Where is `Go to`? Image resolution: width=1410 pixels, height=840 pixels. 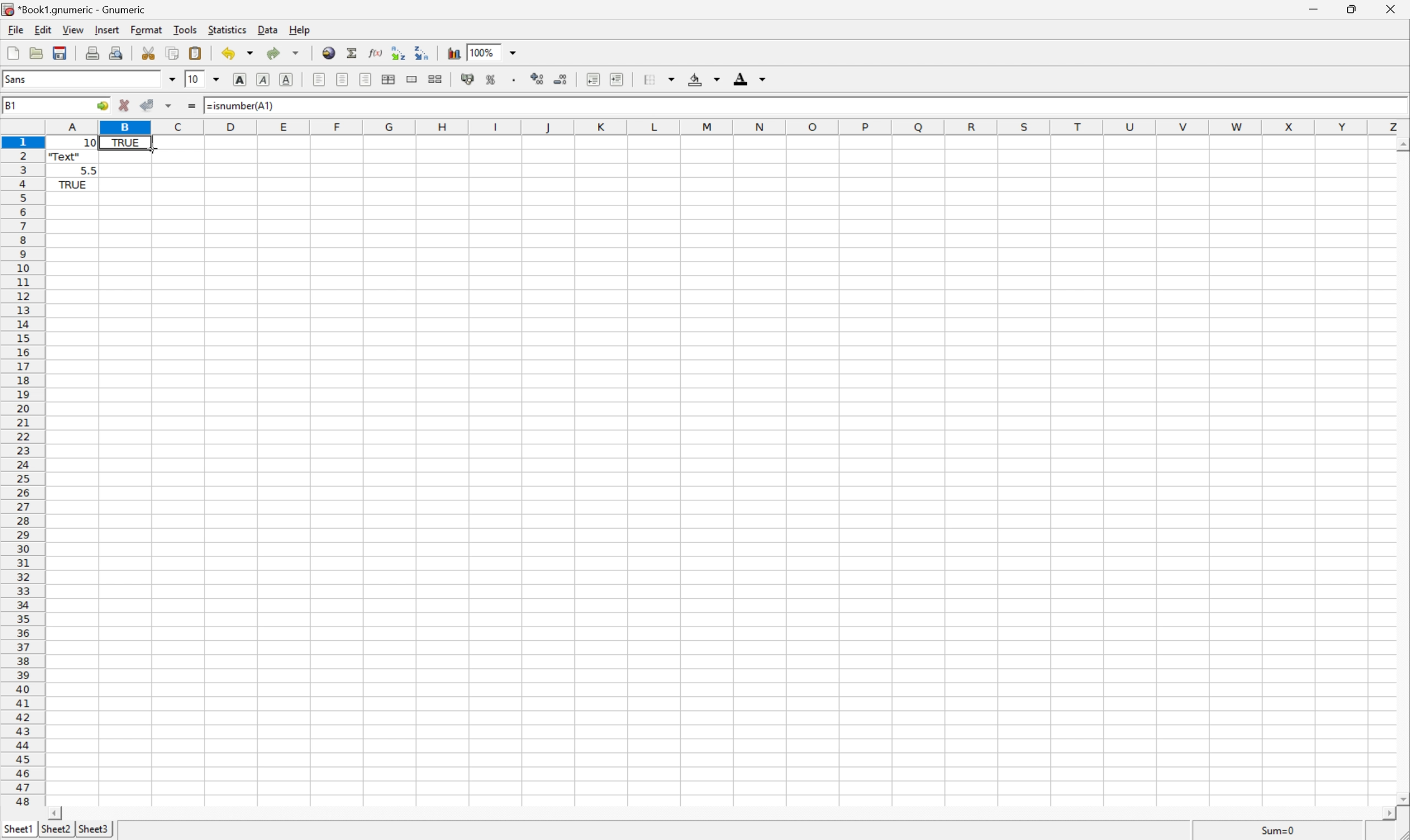
Go to is located at coordinates (101, 104).